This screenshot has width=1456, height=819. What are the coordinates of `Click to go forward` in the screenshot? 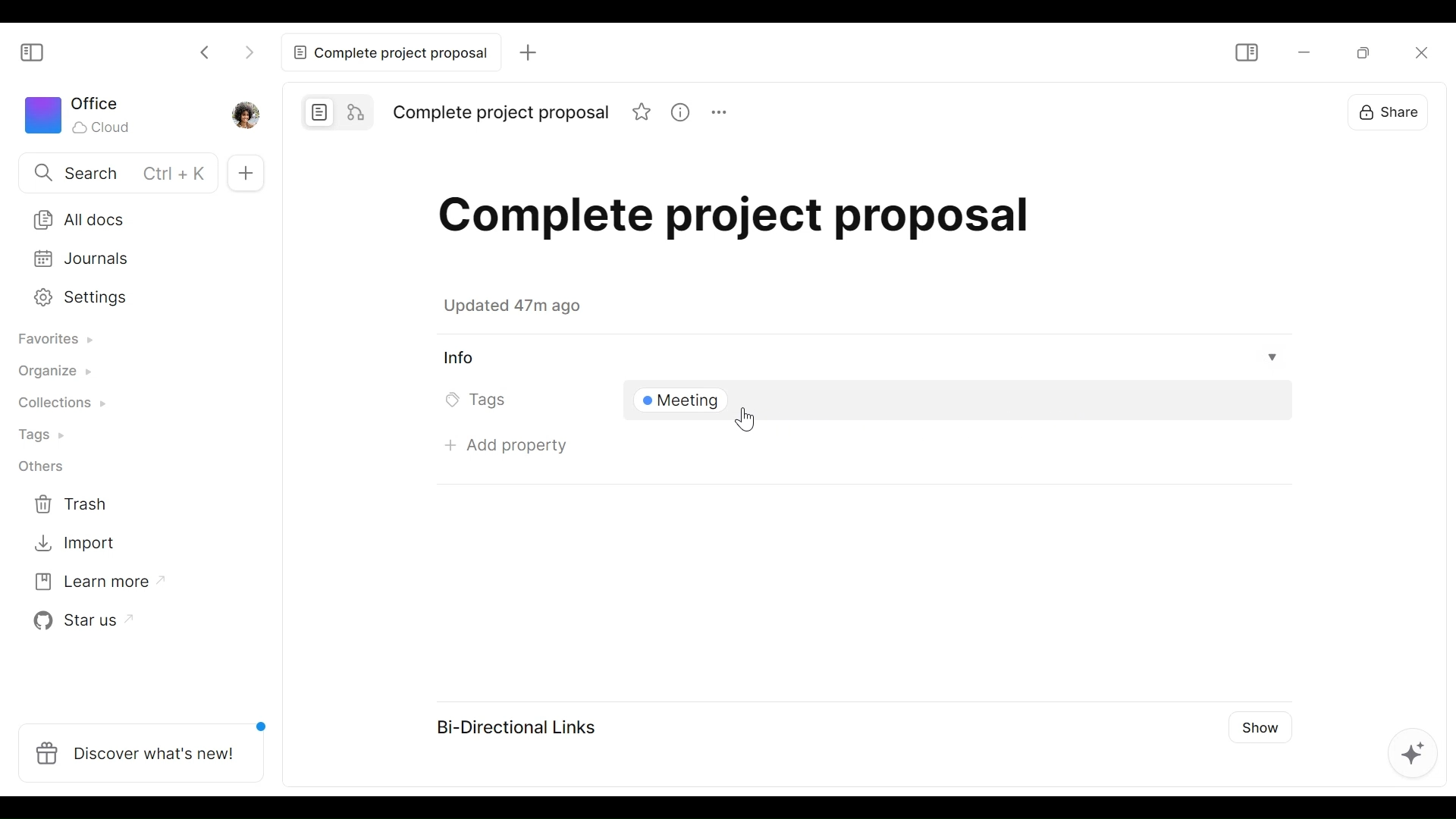 It's located at (249, 50).